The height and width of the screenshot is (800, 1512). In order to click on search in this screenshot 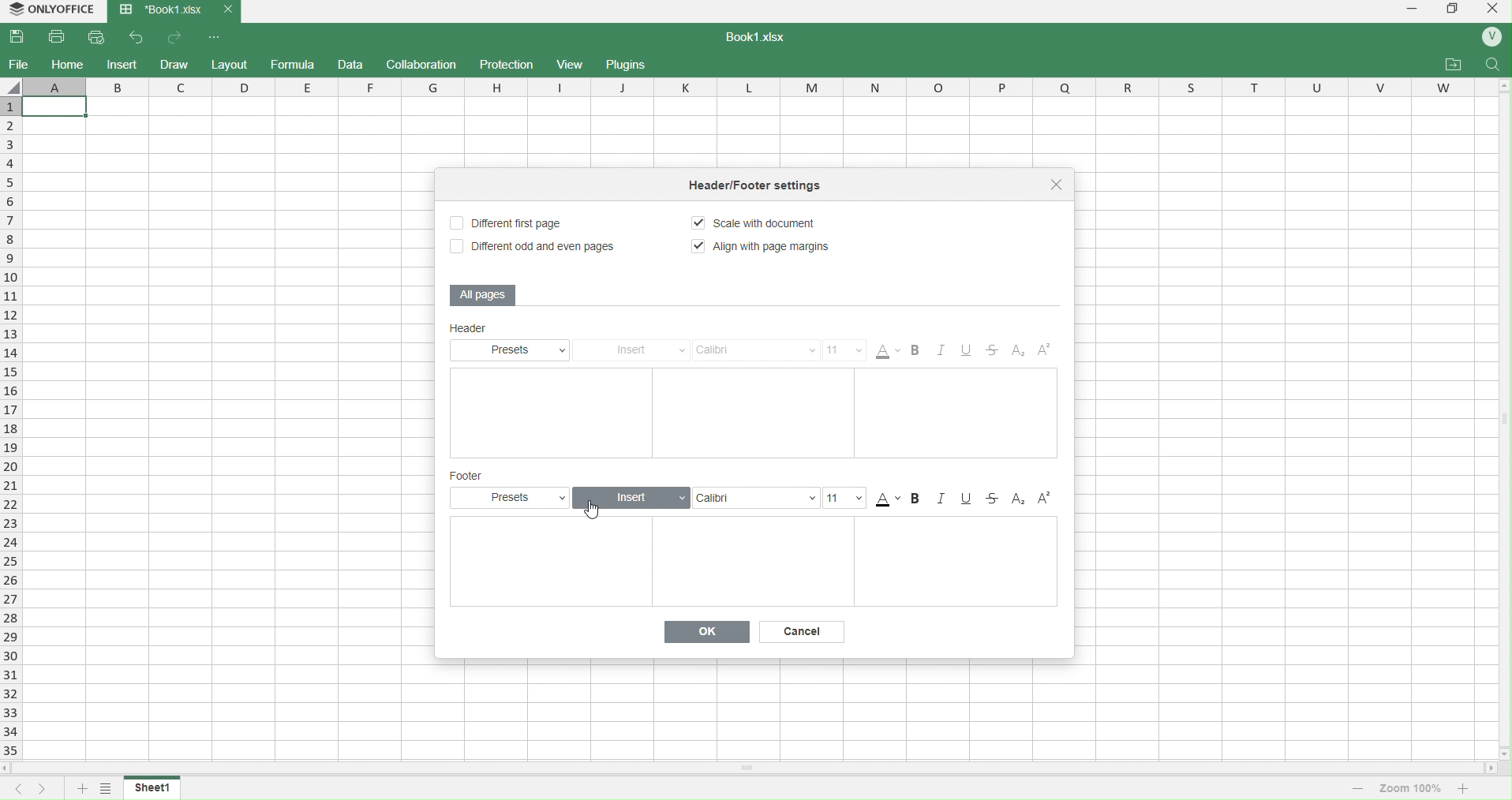, I will do `click(1494, 64)`.